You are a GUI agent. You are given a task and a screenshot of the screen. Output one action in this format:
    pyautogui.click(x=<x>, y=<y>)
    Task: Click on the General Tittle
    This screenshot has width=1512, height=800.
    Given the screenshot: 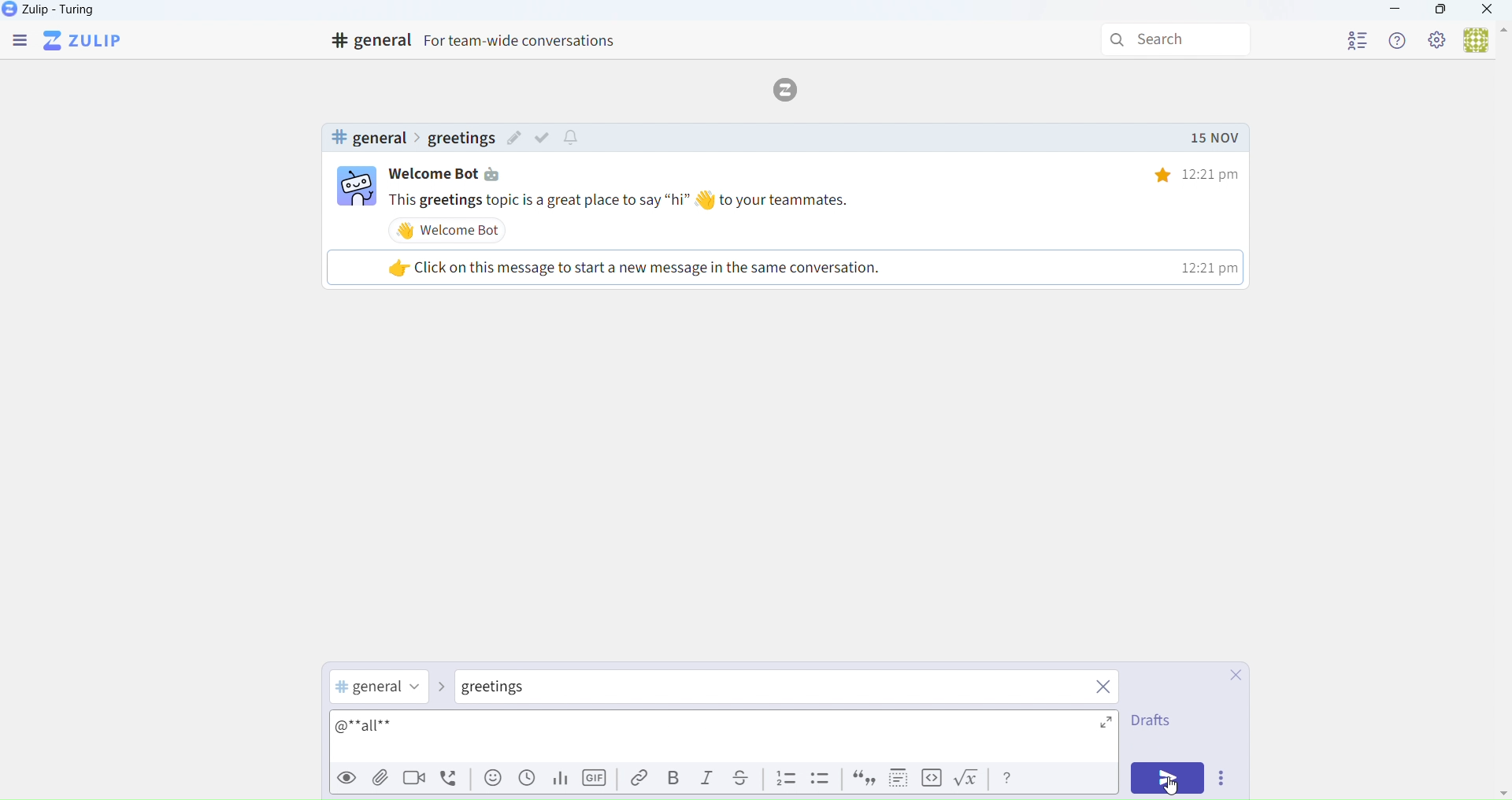 What is the action you would take?
    pyautogui.click(x=480, y=41)
    